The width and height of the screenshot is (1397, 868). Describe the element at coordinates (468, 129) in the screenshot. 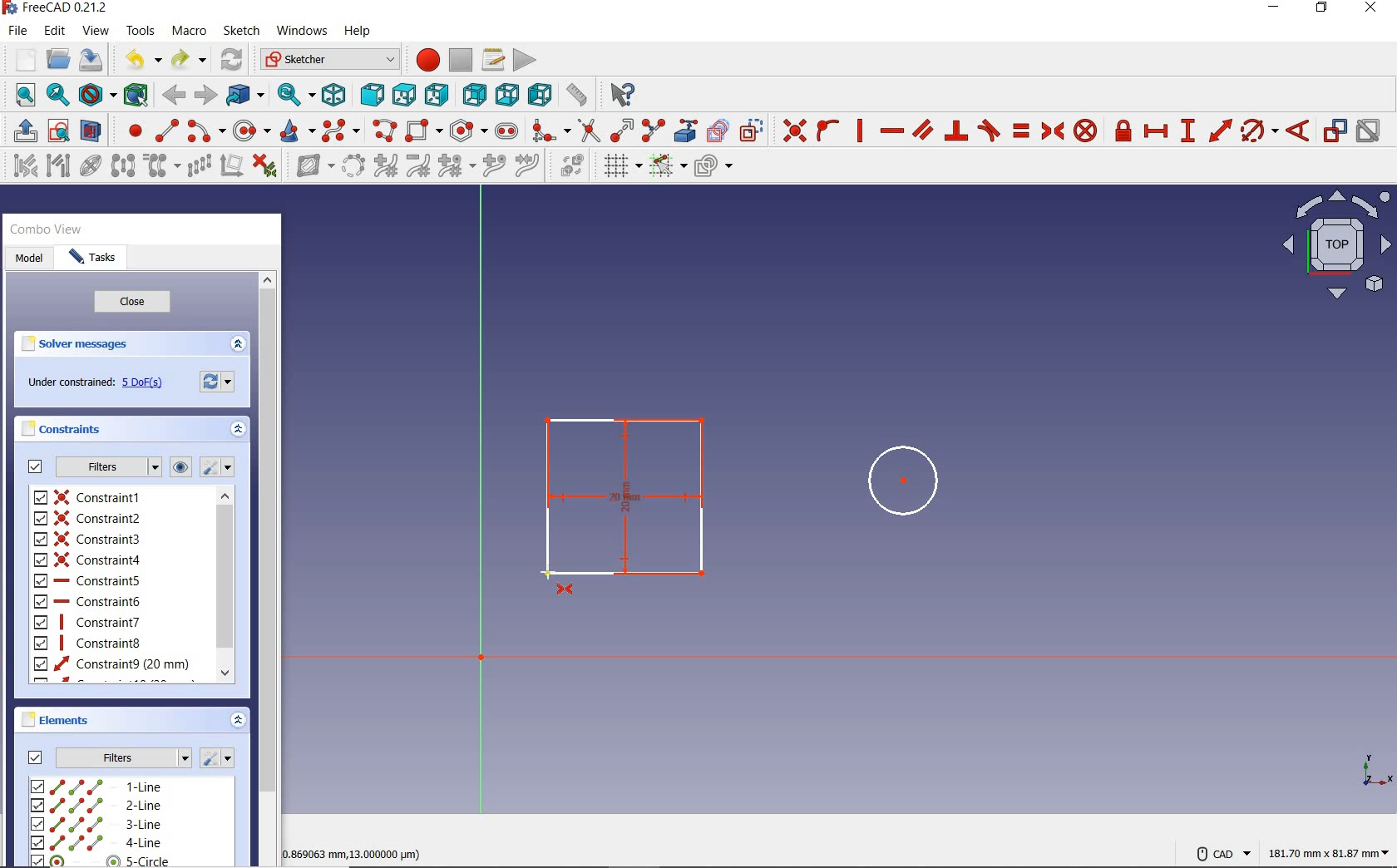

I see `create regular polygon` at that location.